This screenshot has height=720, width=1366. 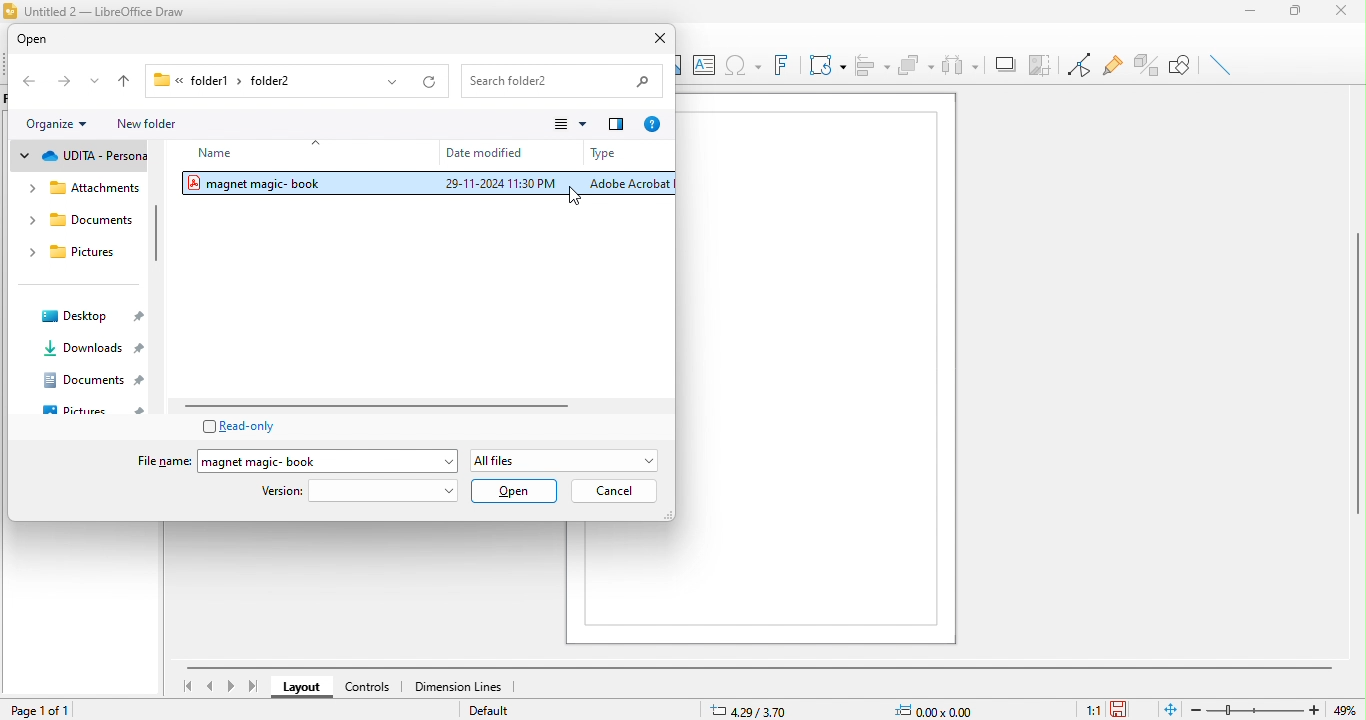 What do you see at coordinates (254, 689) in the screenshot?
I see `last page` at bounding box center [254, 689].